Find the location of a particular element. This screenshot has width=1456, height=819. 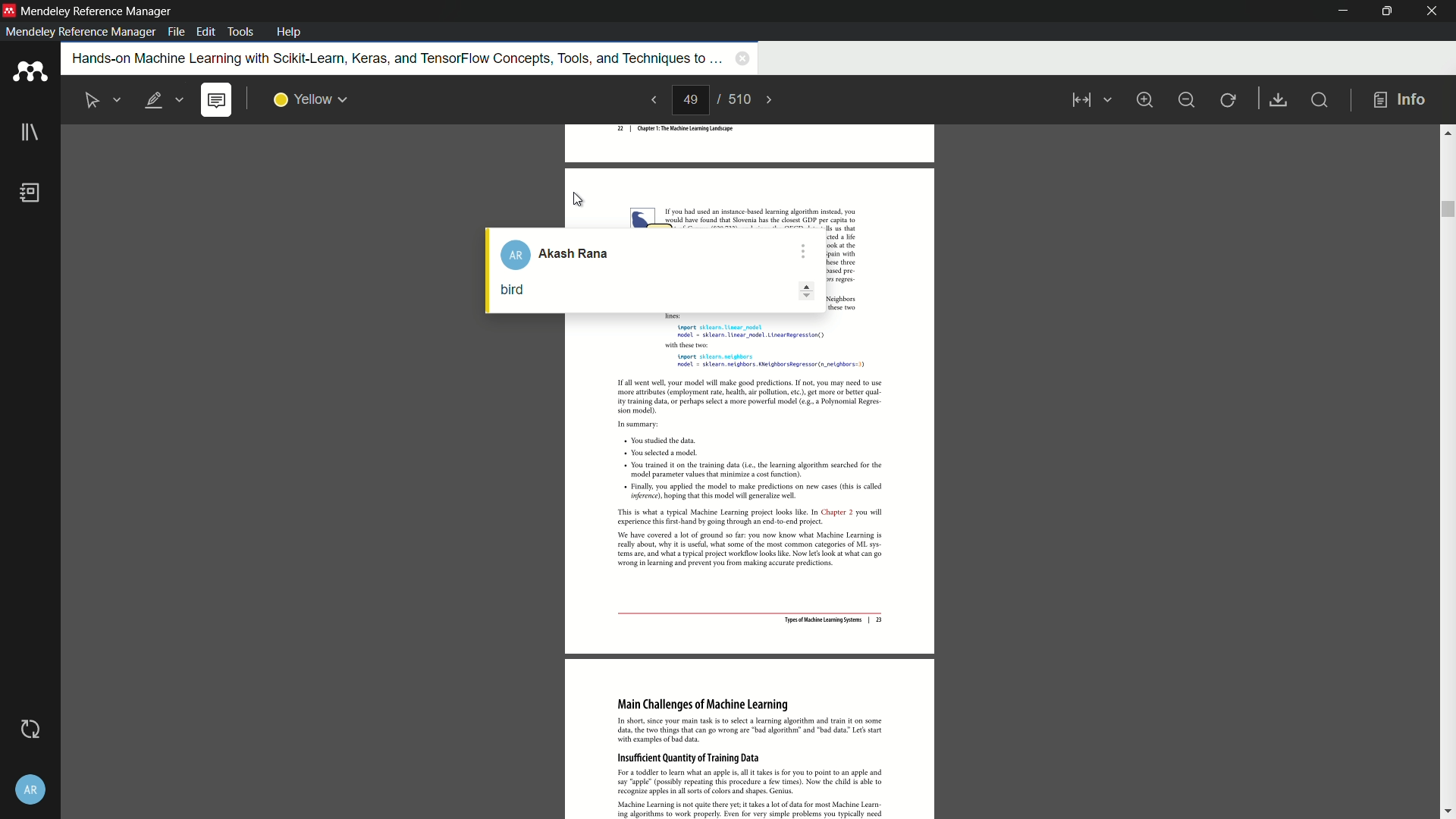

find is located at coordinates (1323, 102).